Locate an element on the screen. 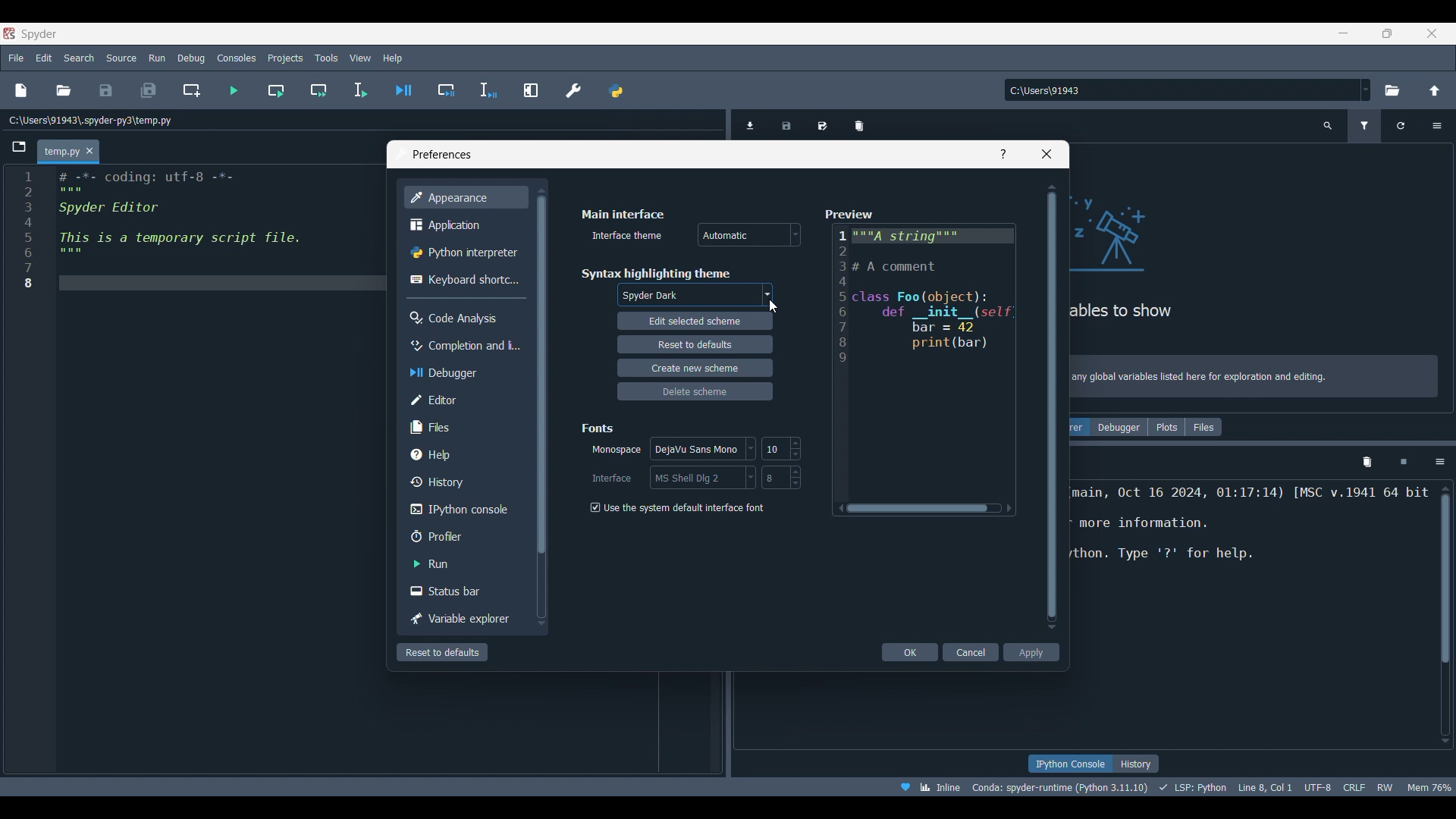 This screenshot has width=1456, height=819. notice is located at coordinates (1257, 374).